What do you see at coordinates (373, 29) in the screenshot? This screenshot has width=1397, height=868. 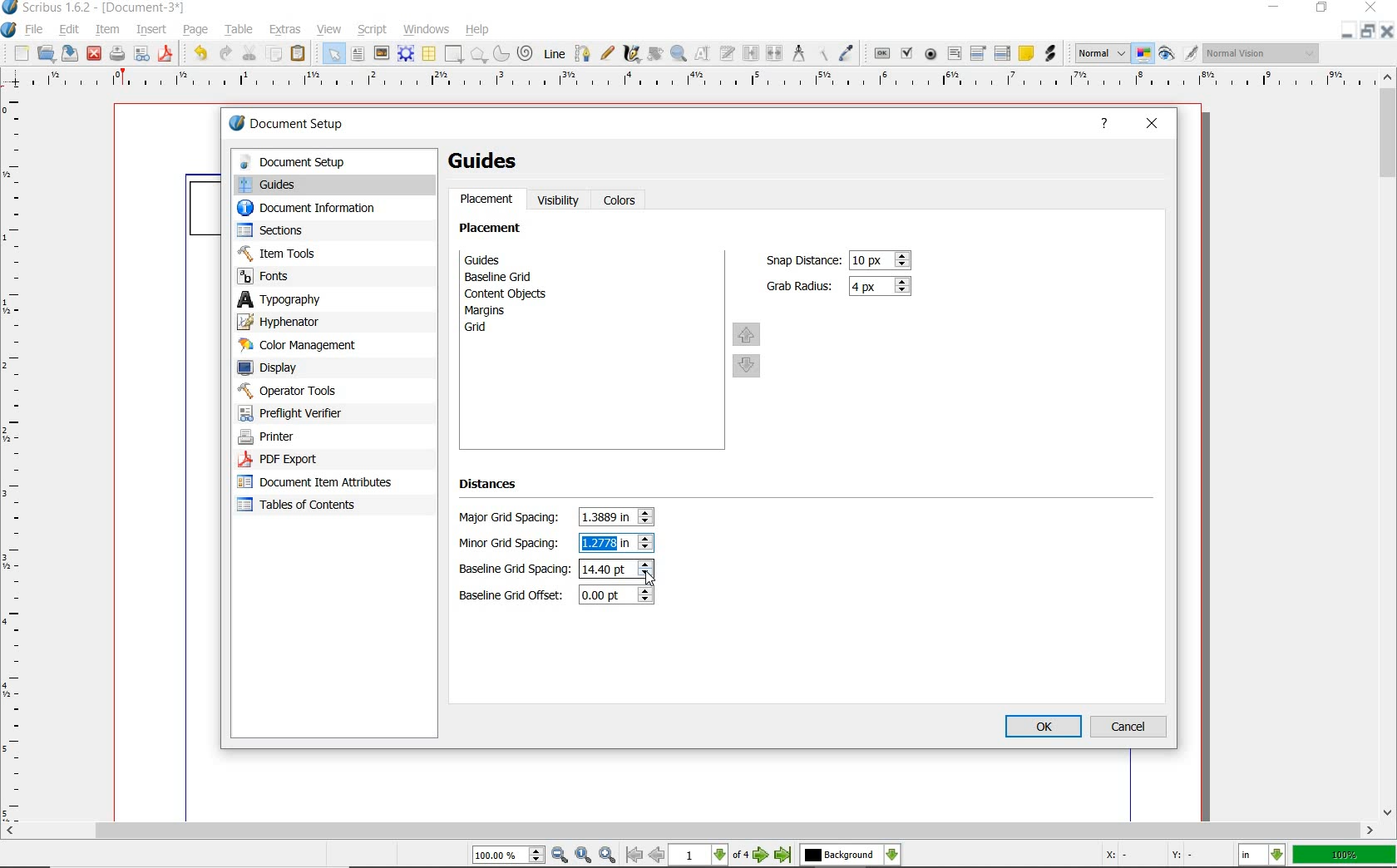 I see `script` at bounding box center [373, 29].